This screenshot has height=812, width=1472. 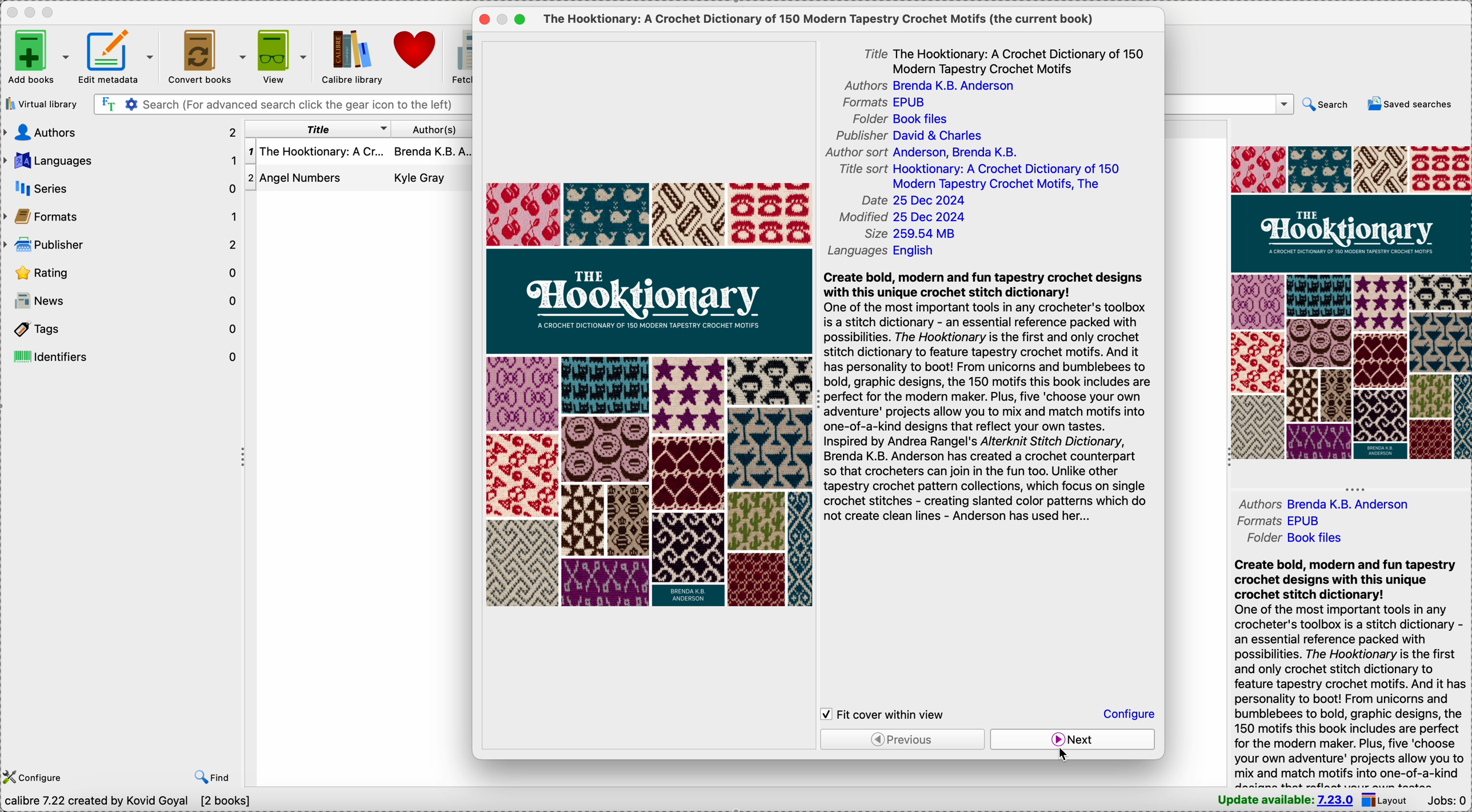 I want to click on publisher, so click(x=908, y=136).